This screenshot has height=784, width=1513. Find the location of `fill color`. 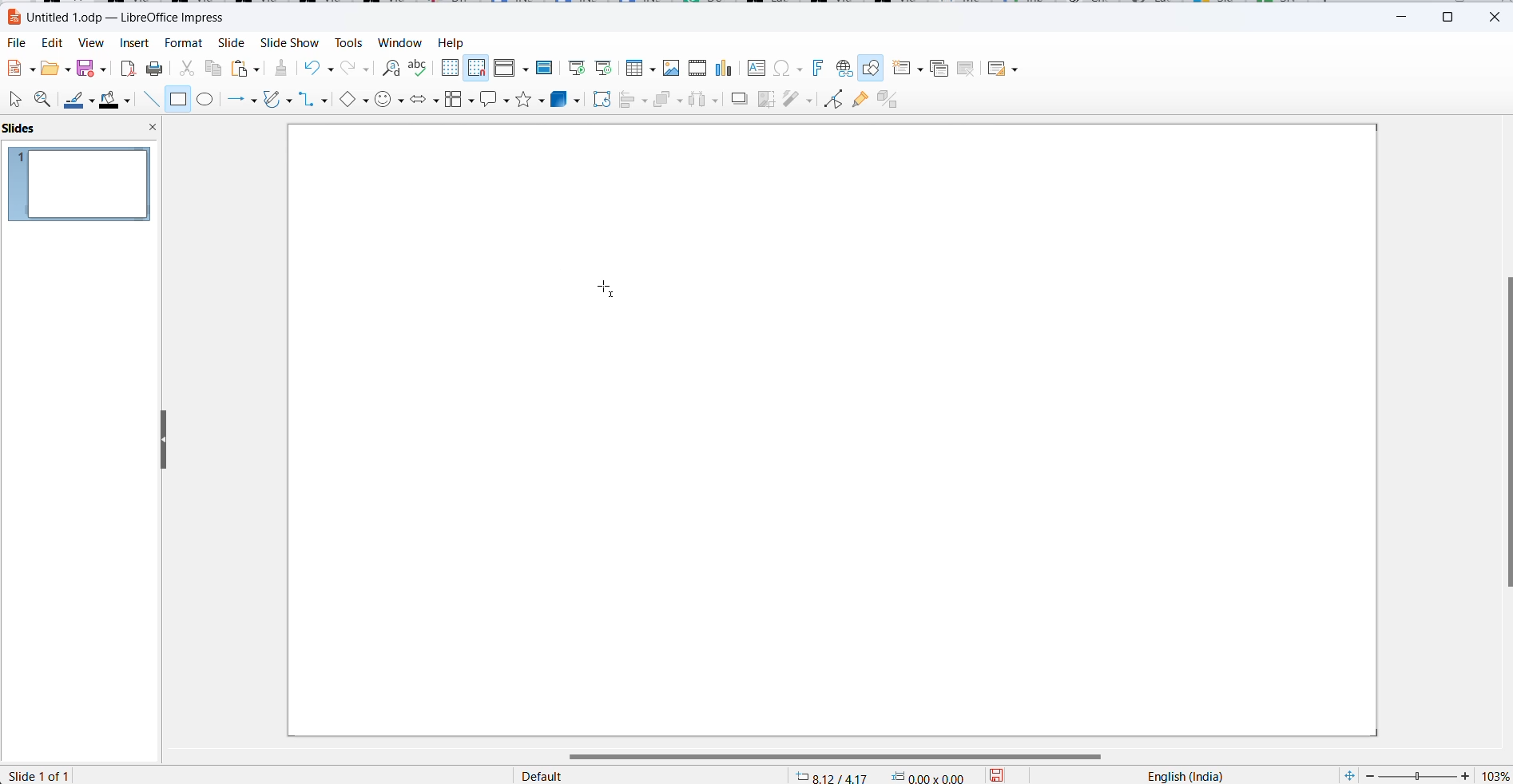

fill color is located at coordinates (107, 99).